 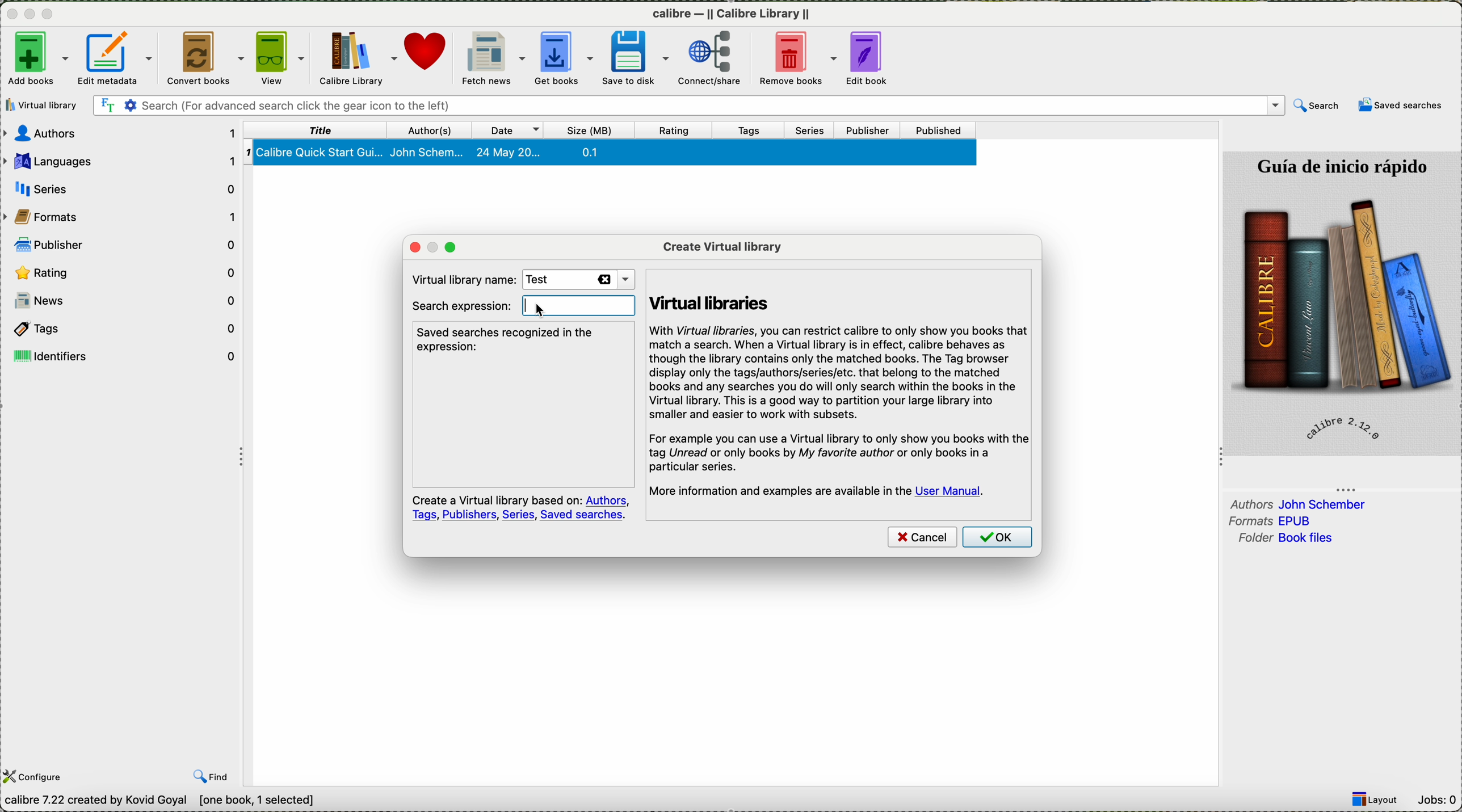 I want to click on minimze, so click(x=431, y=247).